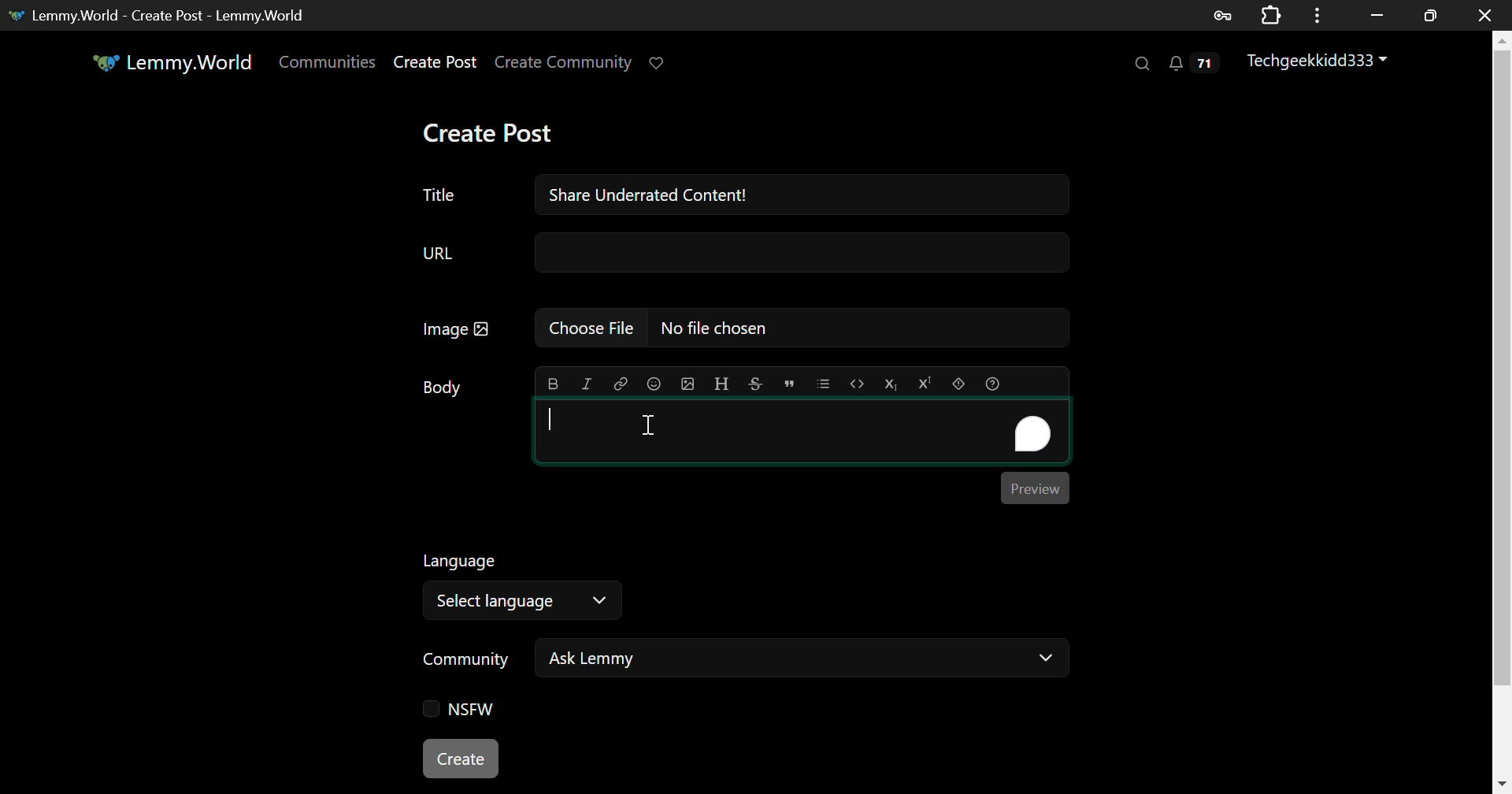 The height and width of the screenshot is (794, 1512). Describe the element at coordinates (787, 384) in the screenshot. I see `Quote` at that location.